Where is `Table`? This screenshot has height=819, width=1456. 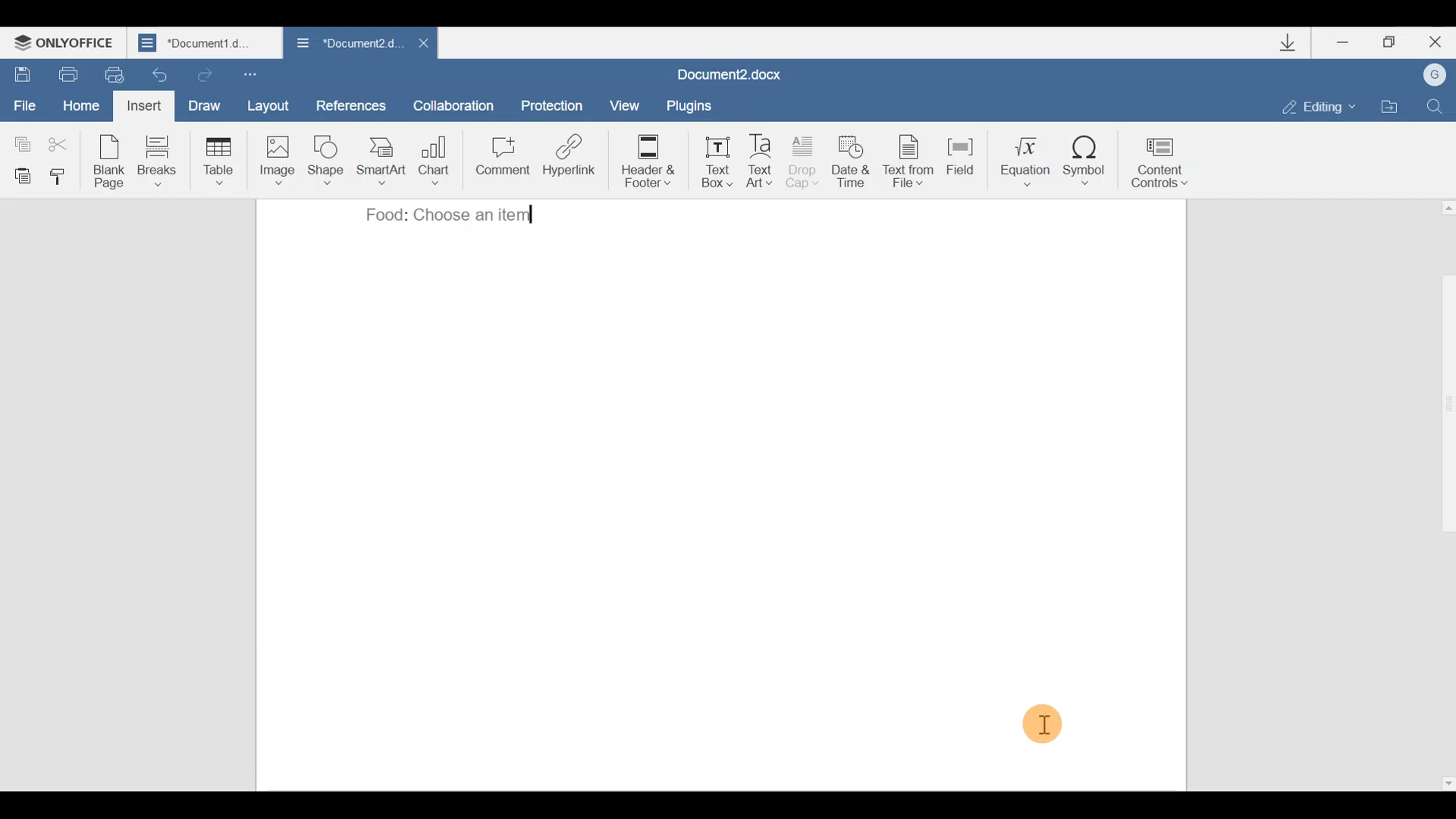 Table is located at coordinates (215, 160).